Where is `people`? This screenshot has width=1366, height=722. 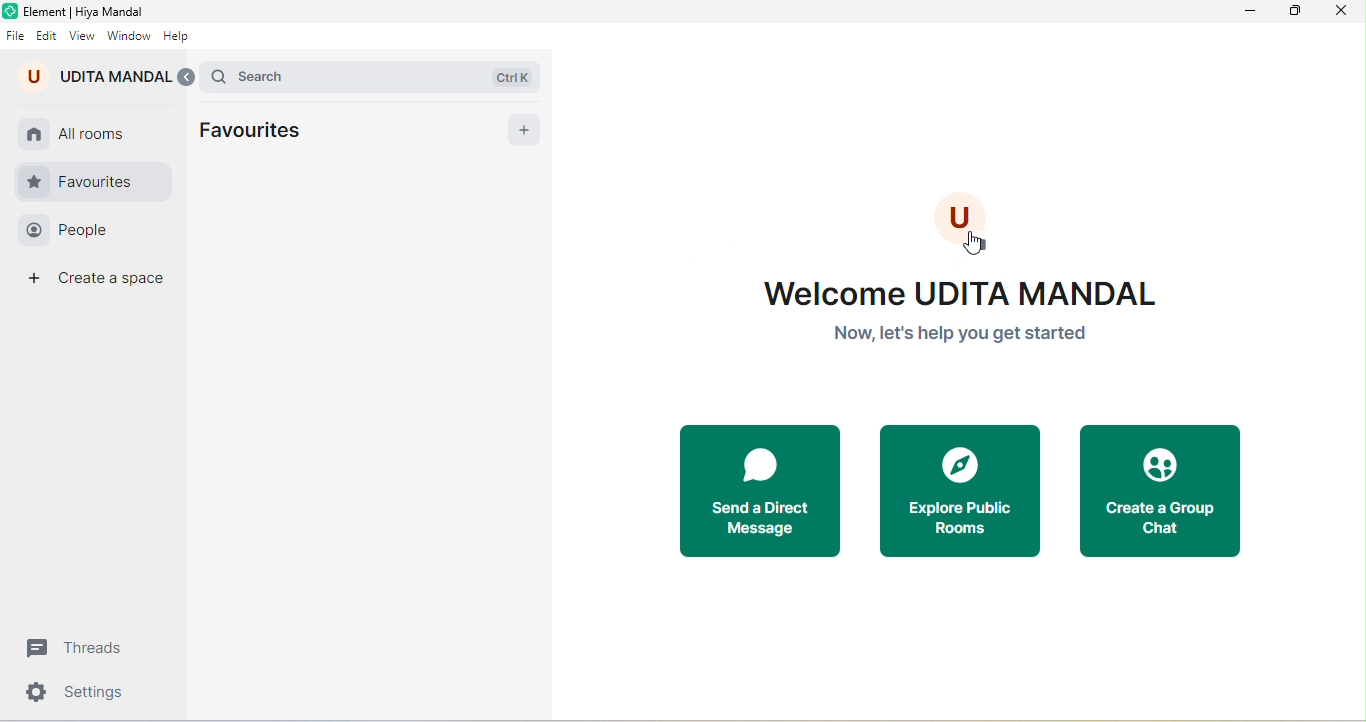
people is located at coordinates (87, 231).